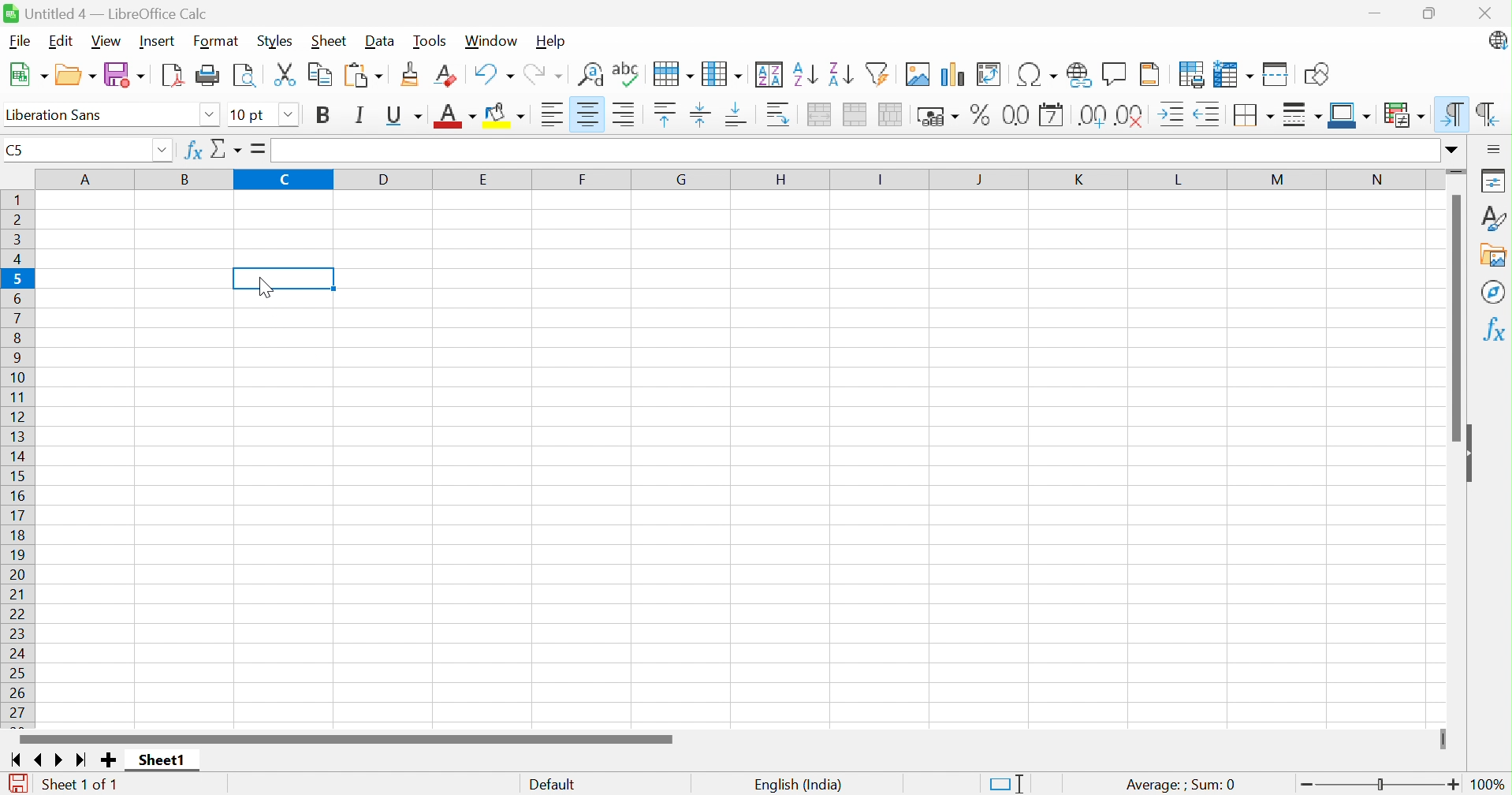  I want to click on Insert Image, so click(917, 74).